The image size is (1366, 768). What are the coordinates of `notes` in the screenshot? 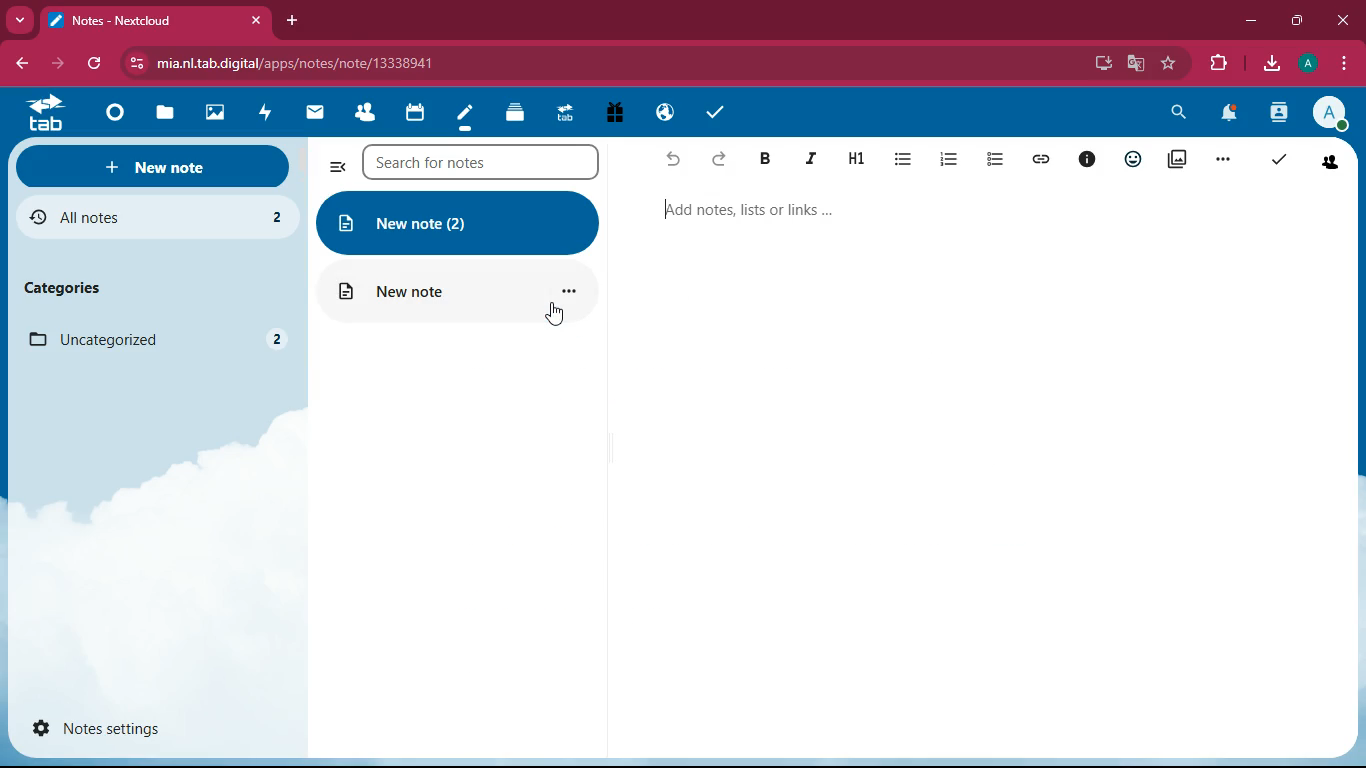 It's located at (466, 114).